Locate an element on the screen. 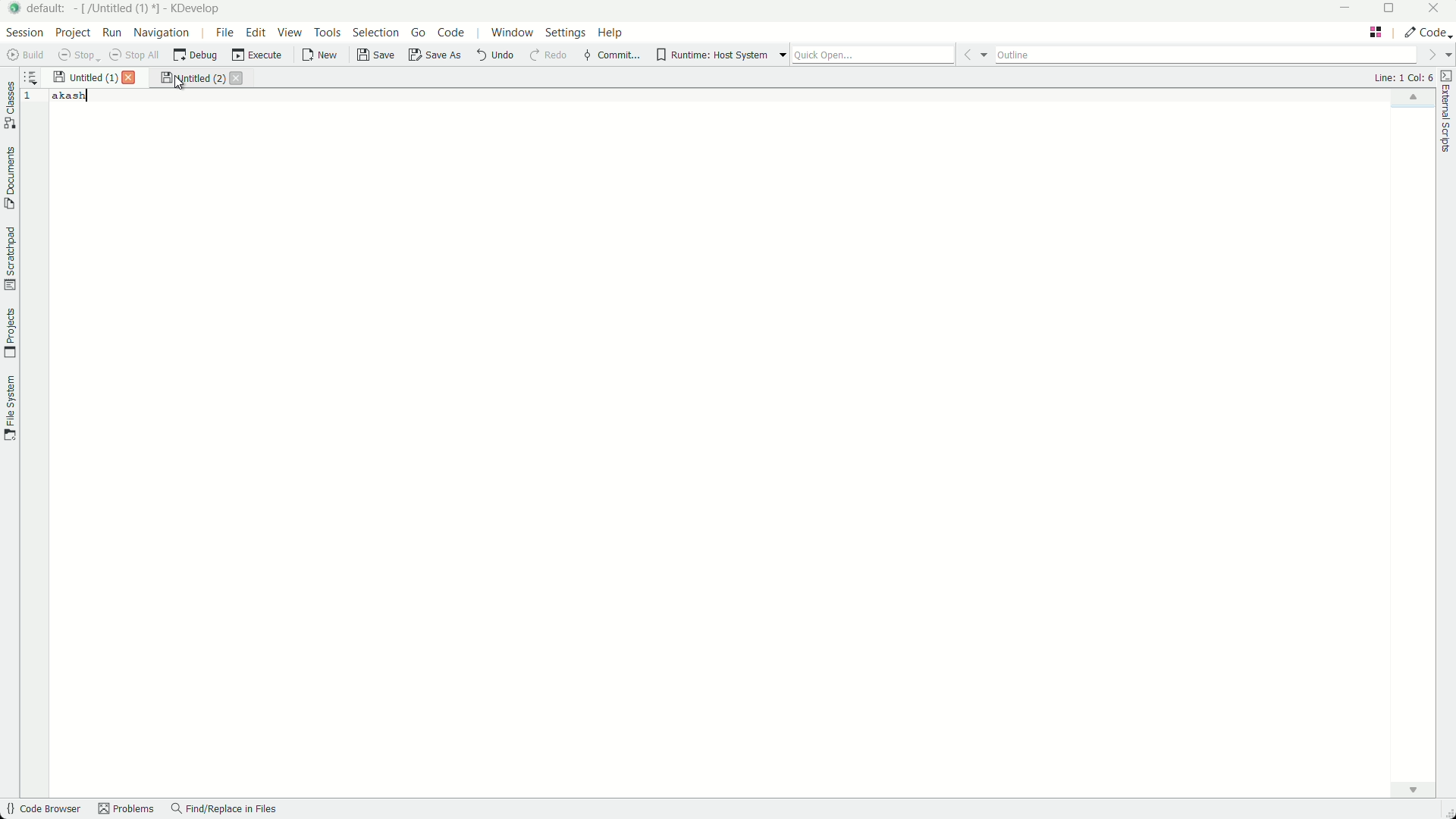 This screenshot has height=819, width=1456. debug is located at coordinates (194, 58).